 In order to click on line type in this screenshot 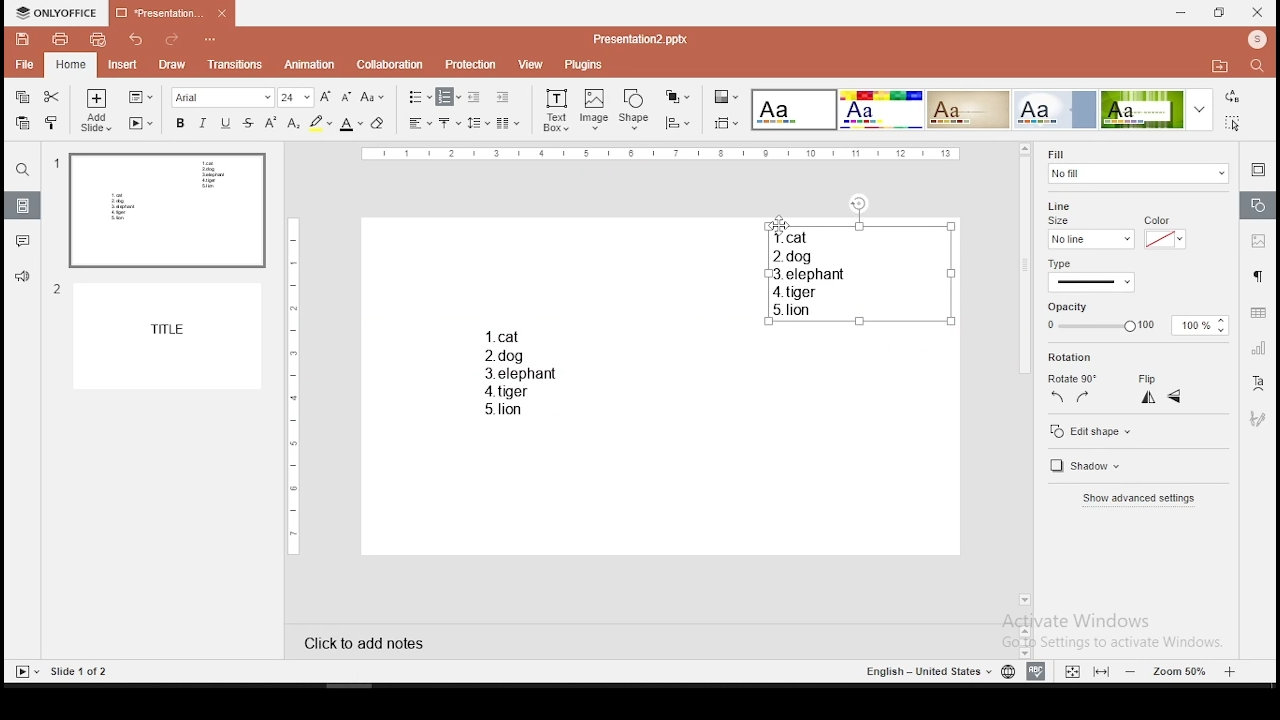, I will do `click(1092, 282)`.